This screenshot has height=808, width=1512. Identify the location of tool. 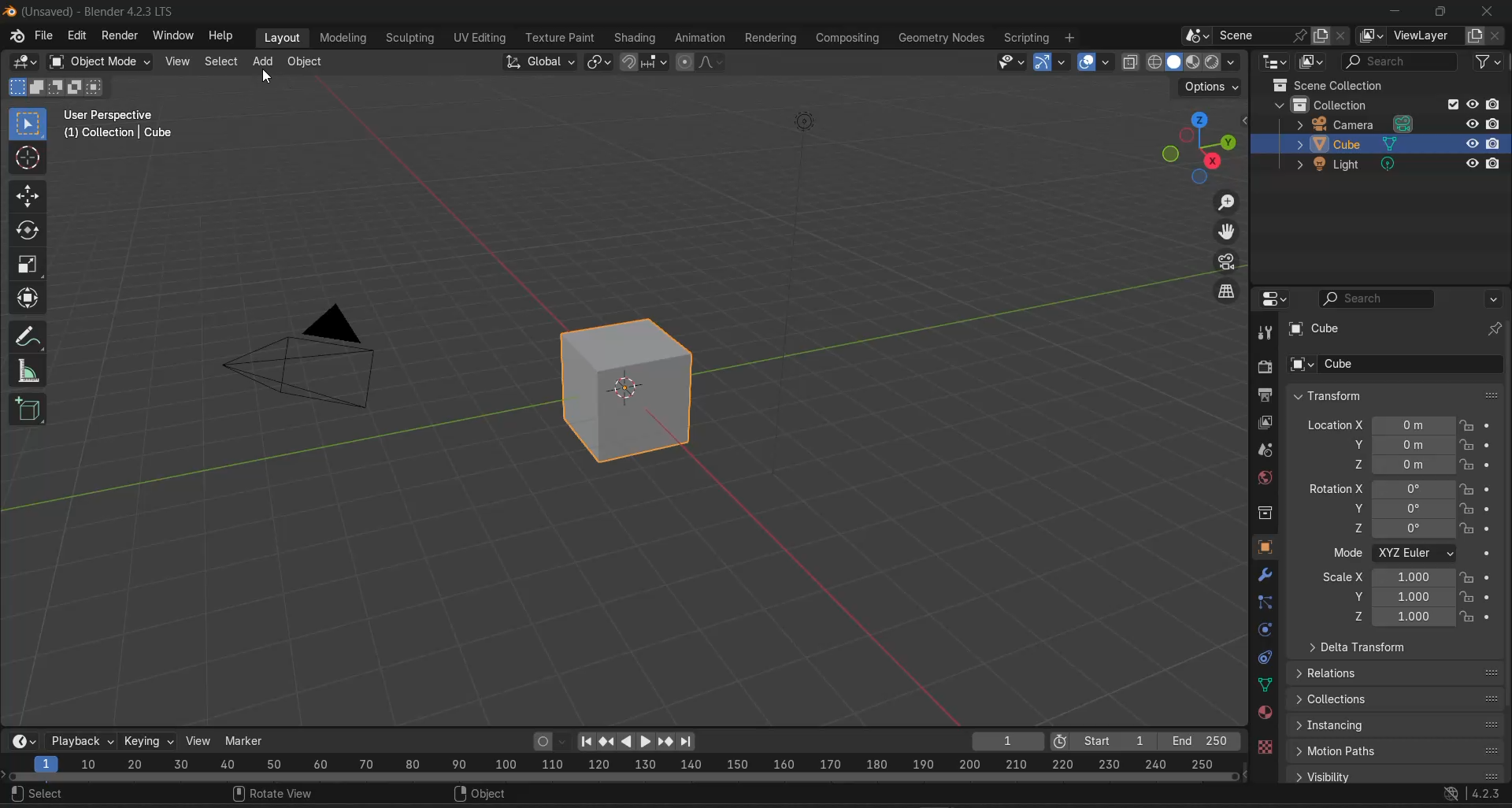
(1265, 332).